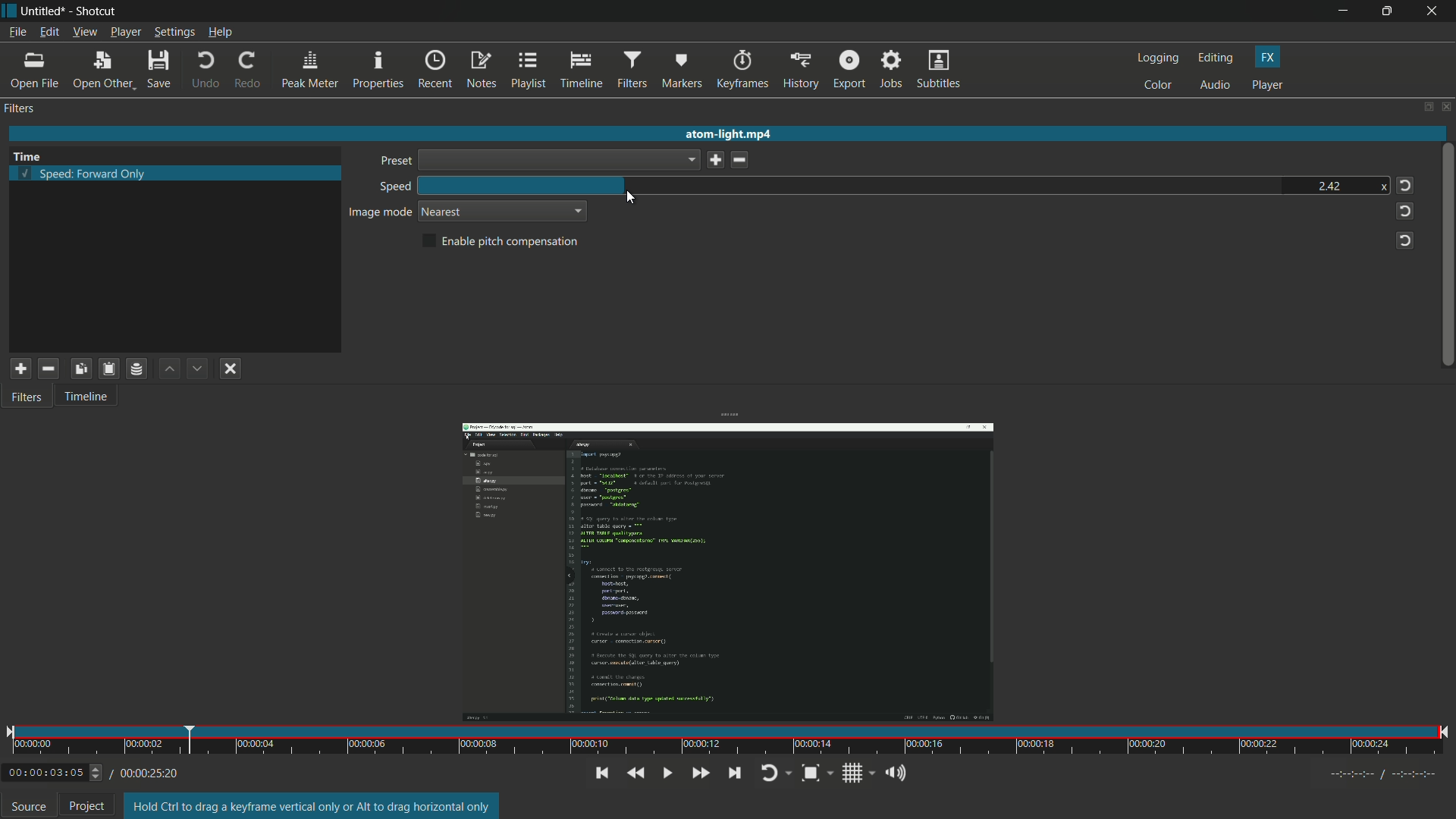 This screenshot has width=1456, height=819. Describe the element at coordinates (125, 33) in the screenshot. I see `player menu` at that location.